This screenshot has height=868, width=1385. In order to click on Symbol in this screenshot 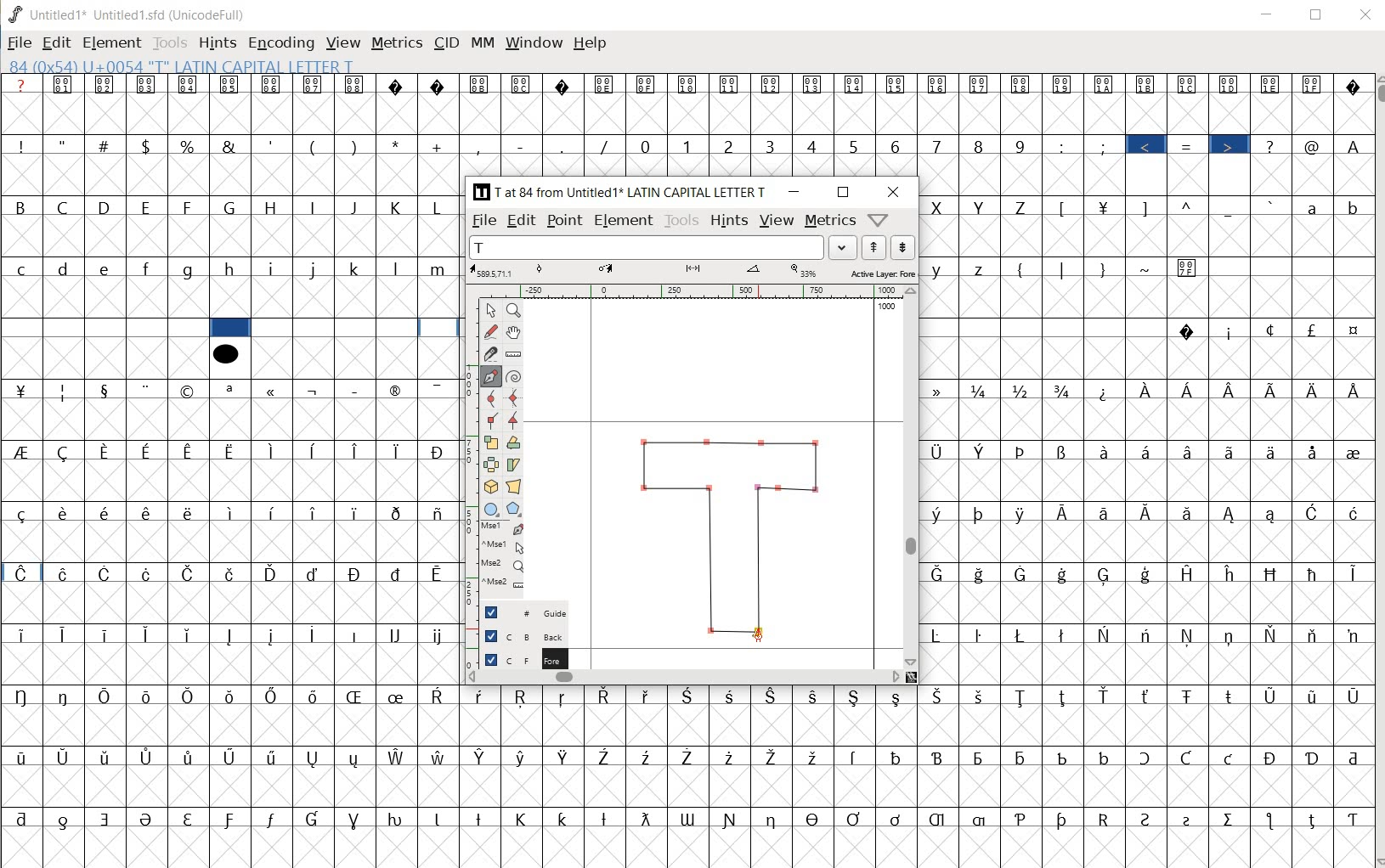, I will do `click(1351, 390)`.